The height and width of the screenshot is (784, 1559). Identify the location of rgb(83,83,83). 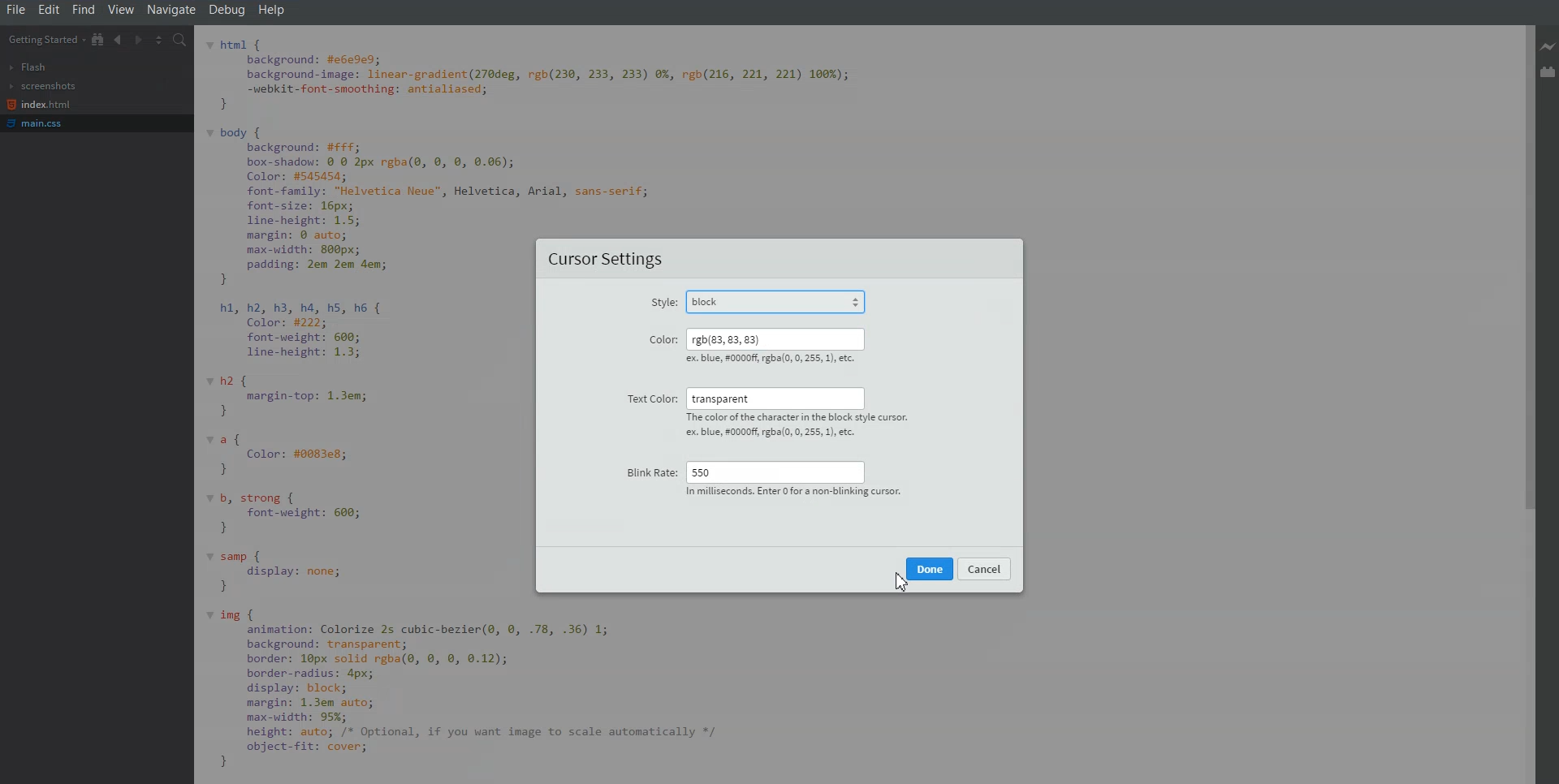
(773, 338).